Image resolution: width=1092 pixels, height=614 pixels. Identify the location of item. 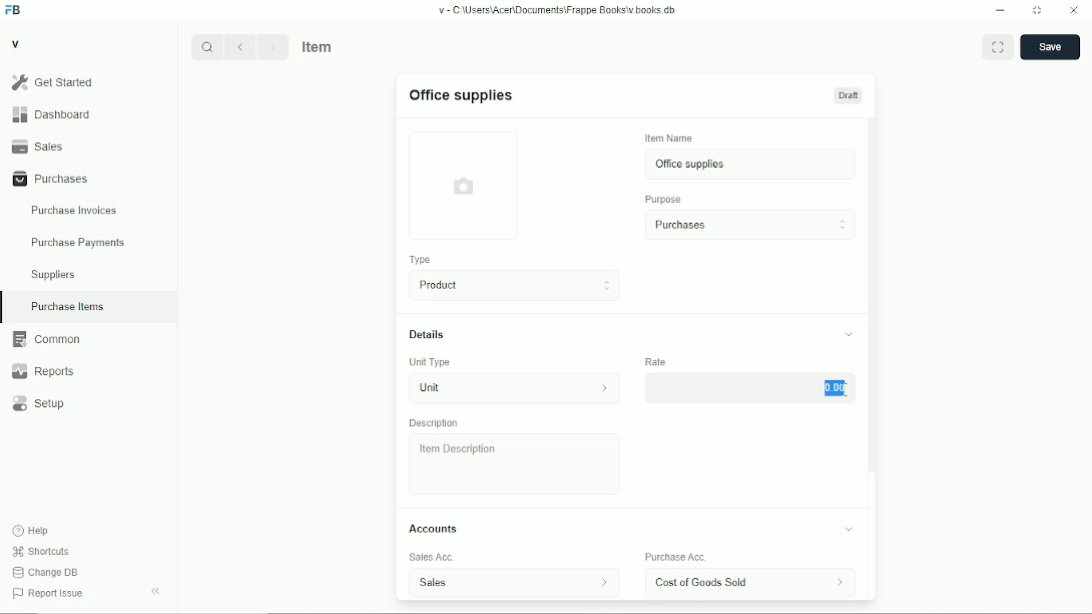
(319, 46).